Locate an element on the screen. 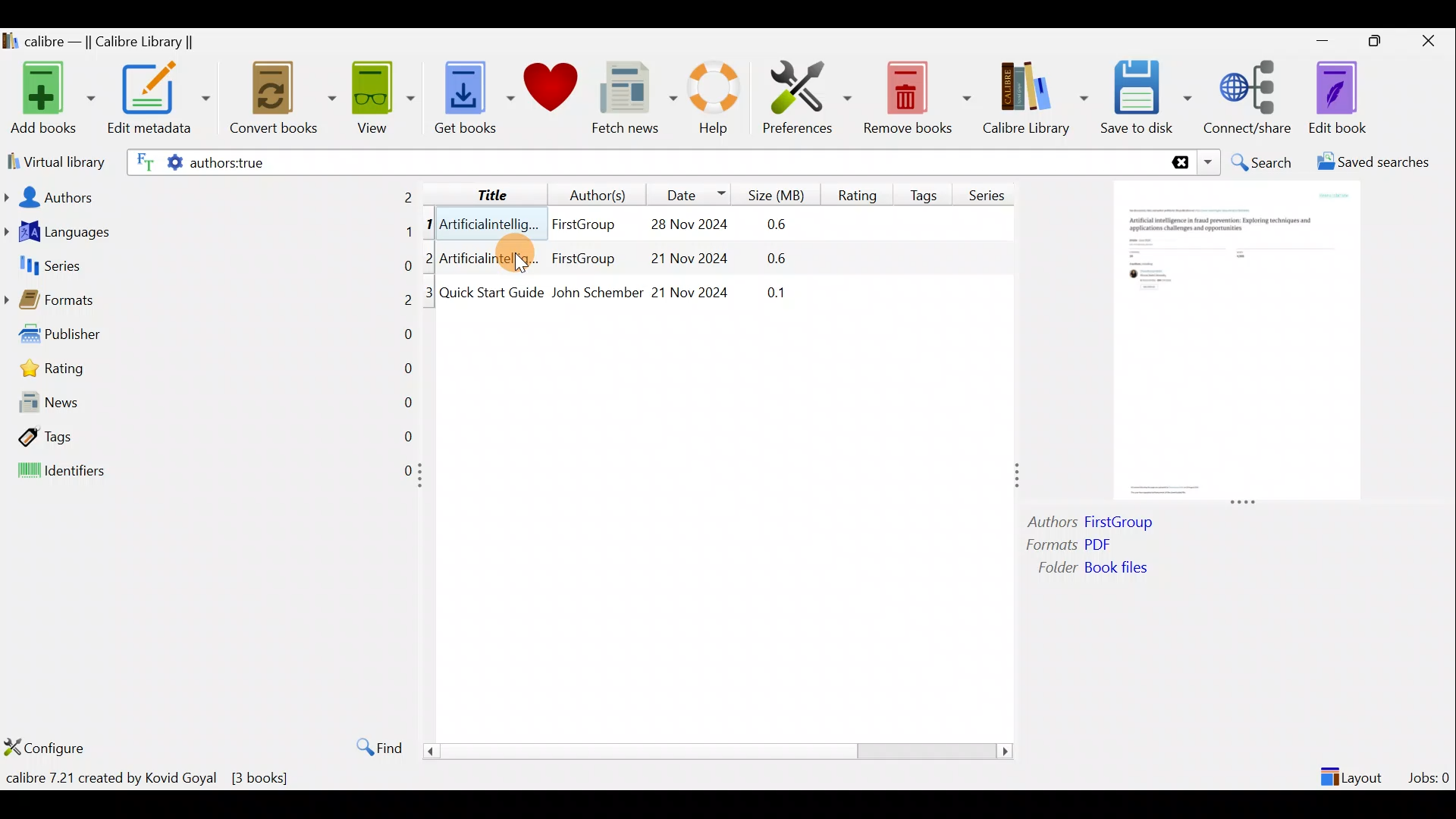 The width and height of the screenshot is (1456, 819). Cursor is located at coordinates (510, 256).